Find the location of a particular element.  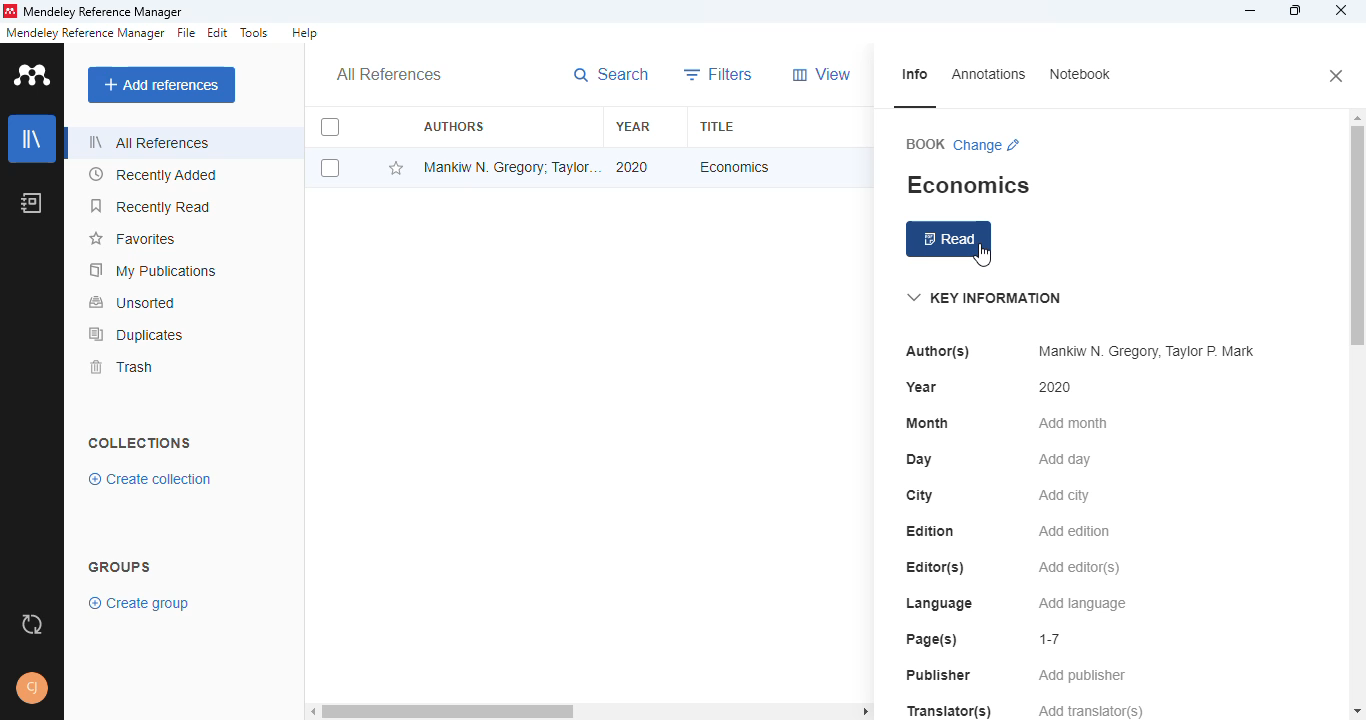

key information is located at coordinates (984, 298).